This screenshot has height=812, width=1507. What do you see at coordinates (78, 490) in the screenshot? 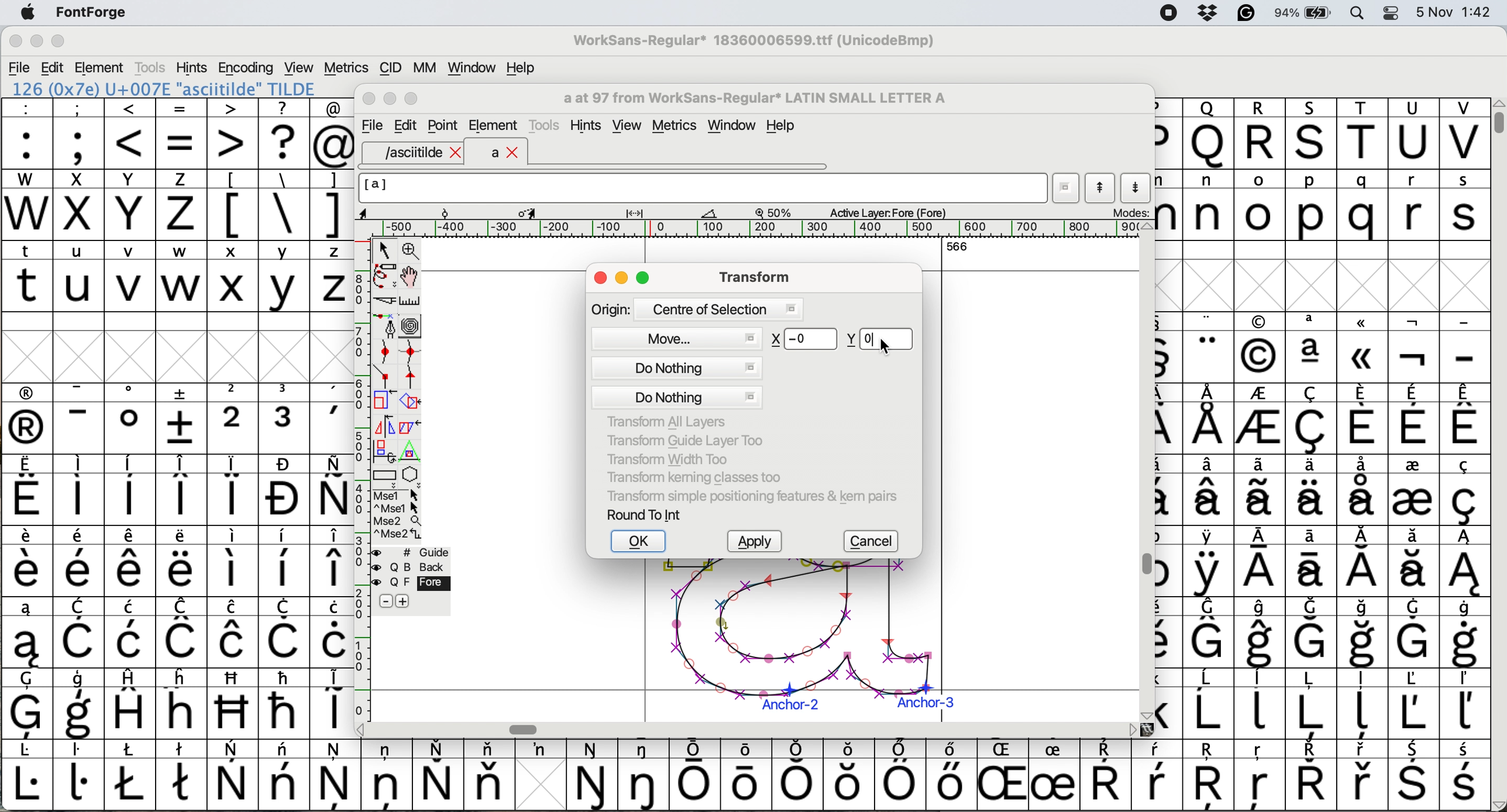
I see `symbol` at bounding box center [78, 490].